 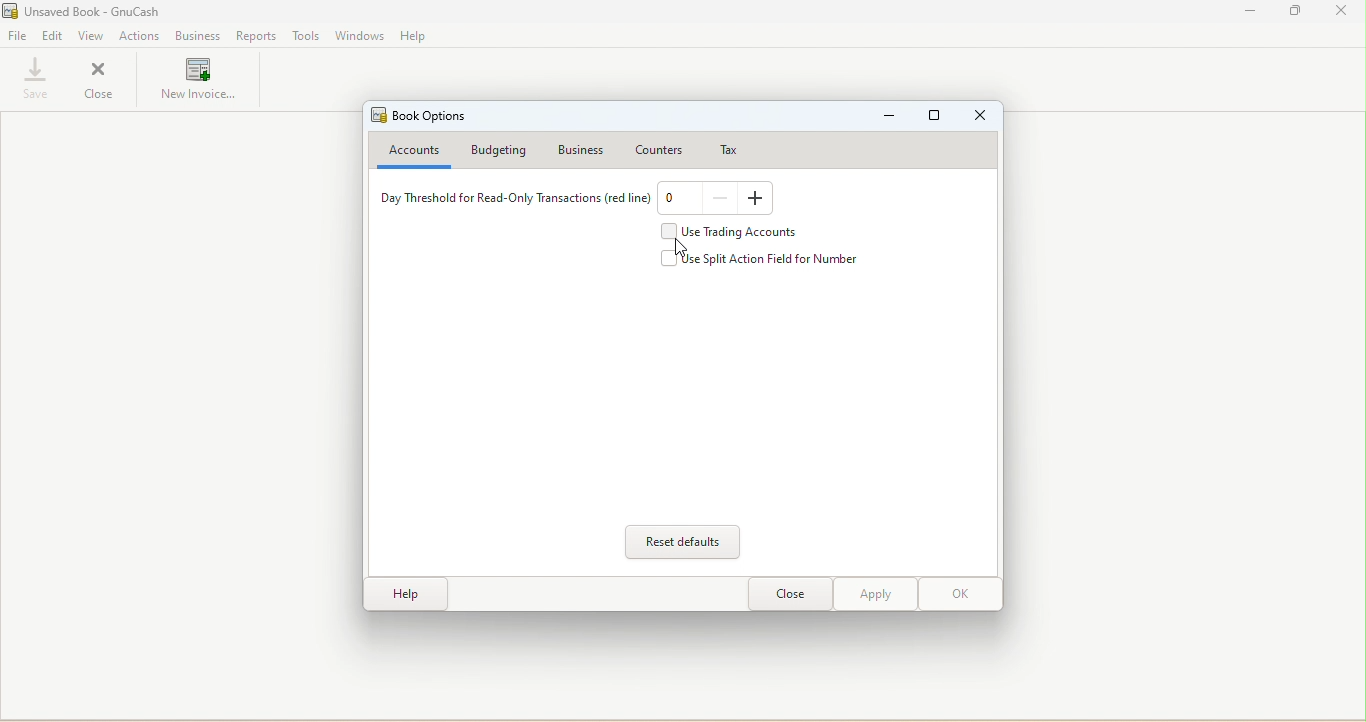 I want to click on Close, so click(x=789, y=595).